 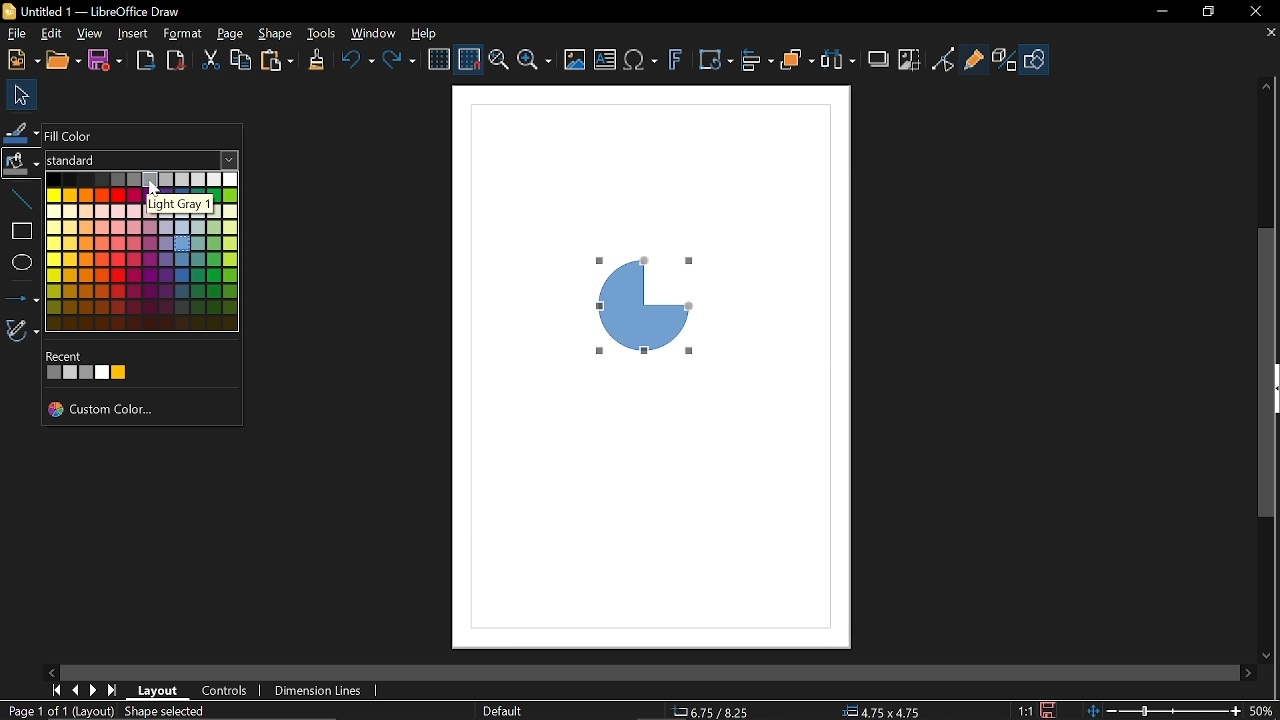 I want to click on Ellipse, so click(x=24, y=261).